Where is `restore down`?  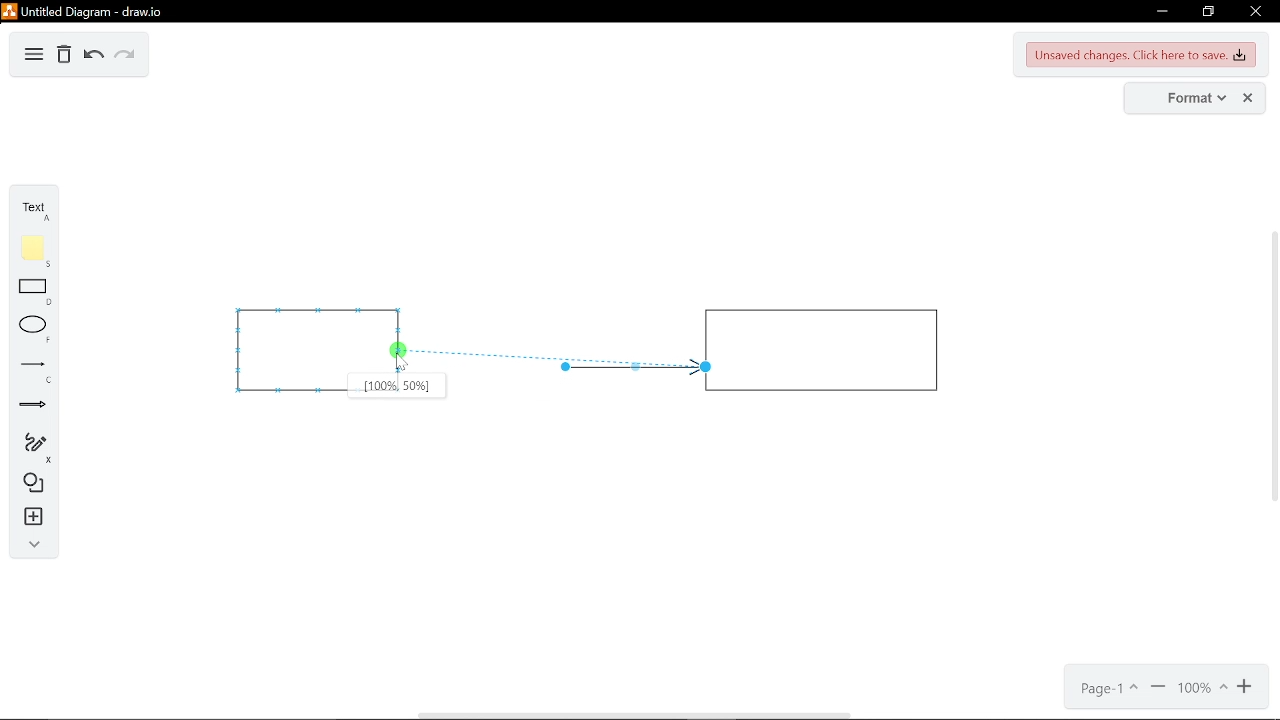 restore down is located at coordinates (1209, 12).